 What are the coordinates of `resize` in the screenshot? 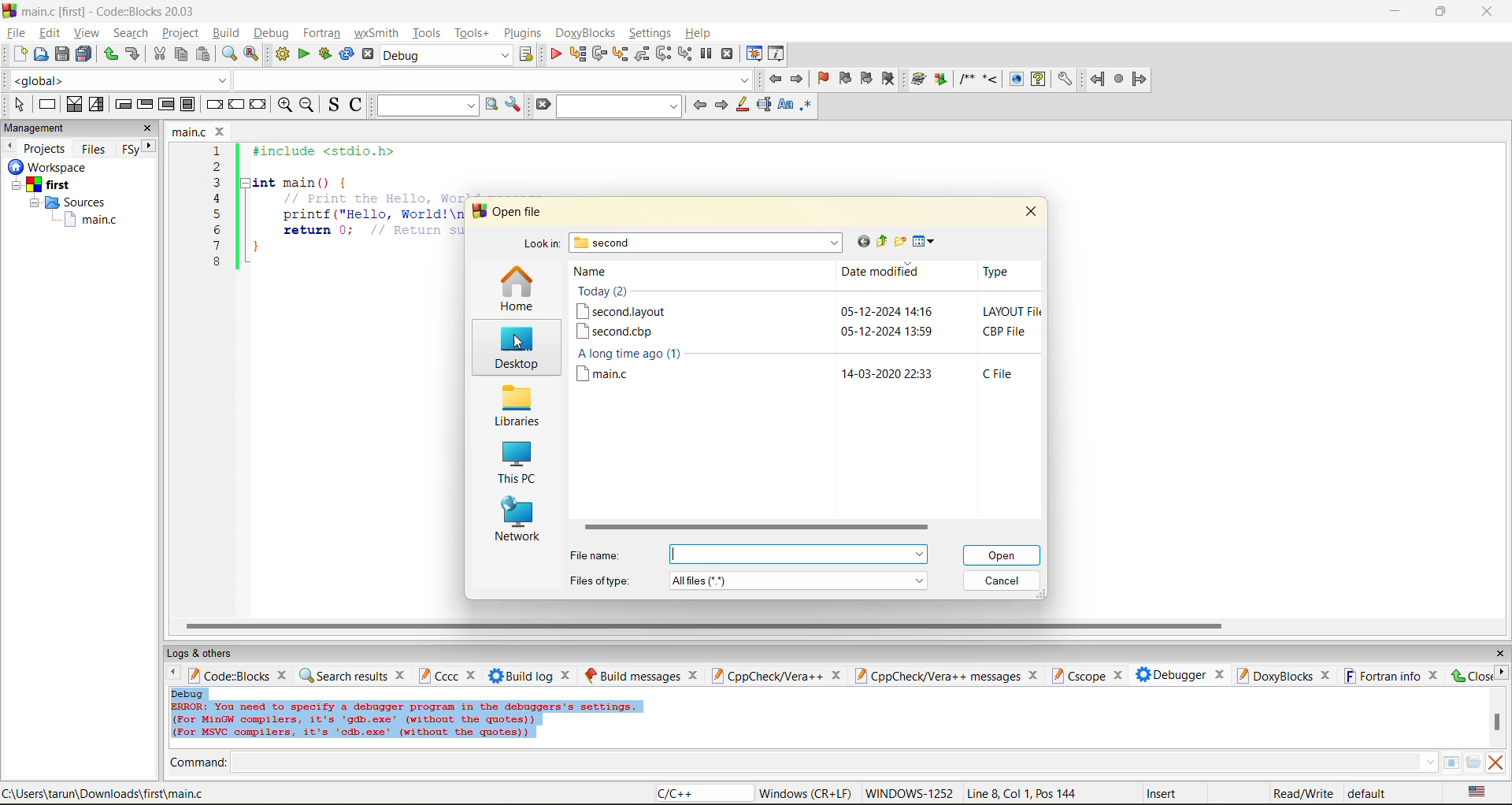 It's located at (1441, 10).